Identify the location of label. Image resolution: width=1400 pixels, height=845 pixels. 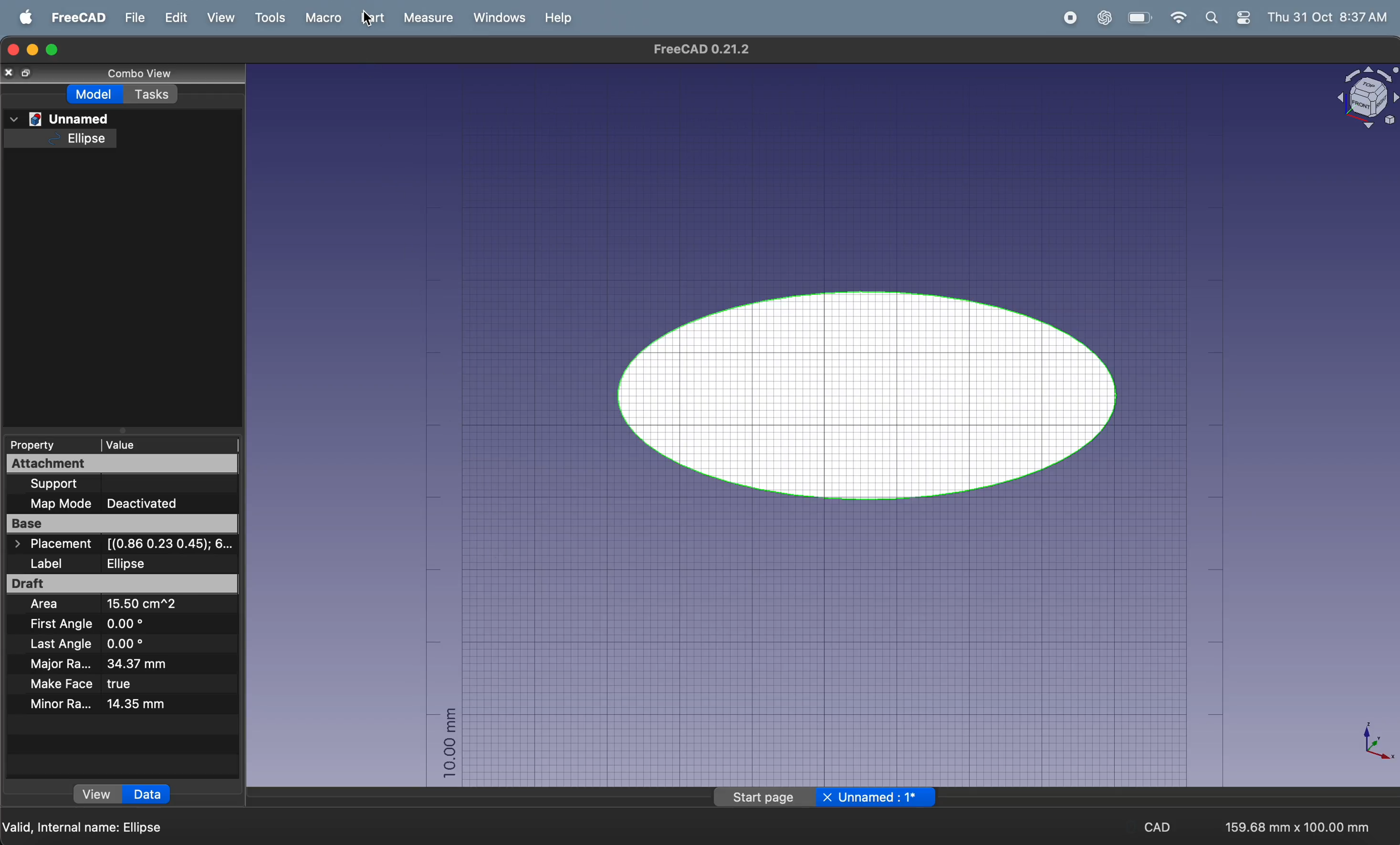
(120, 562).